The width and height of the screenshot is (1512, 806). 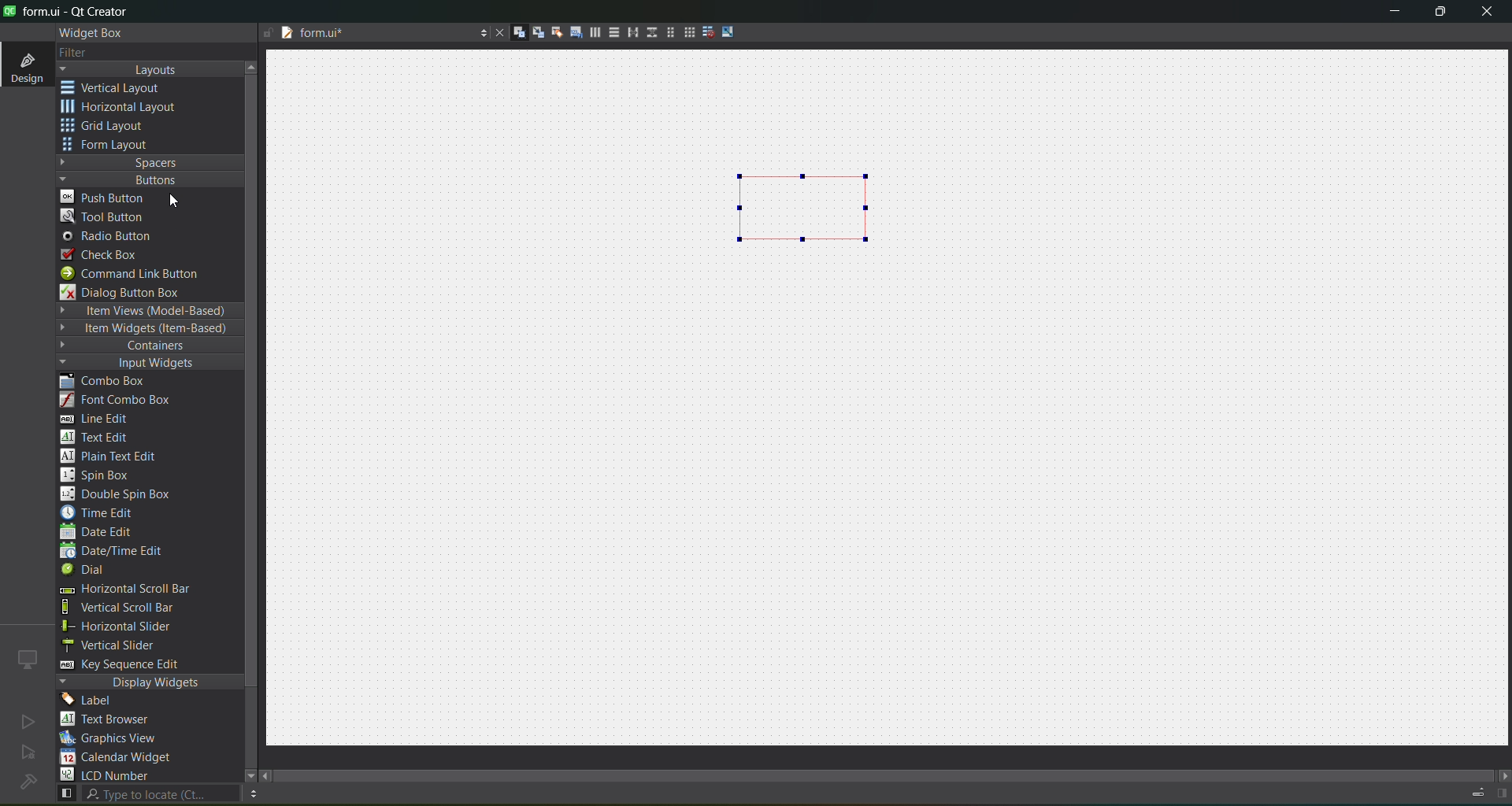 I want to click on search, so click(x=146, y=794).